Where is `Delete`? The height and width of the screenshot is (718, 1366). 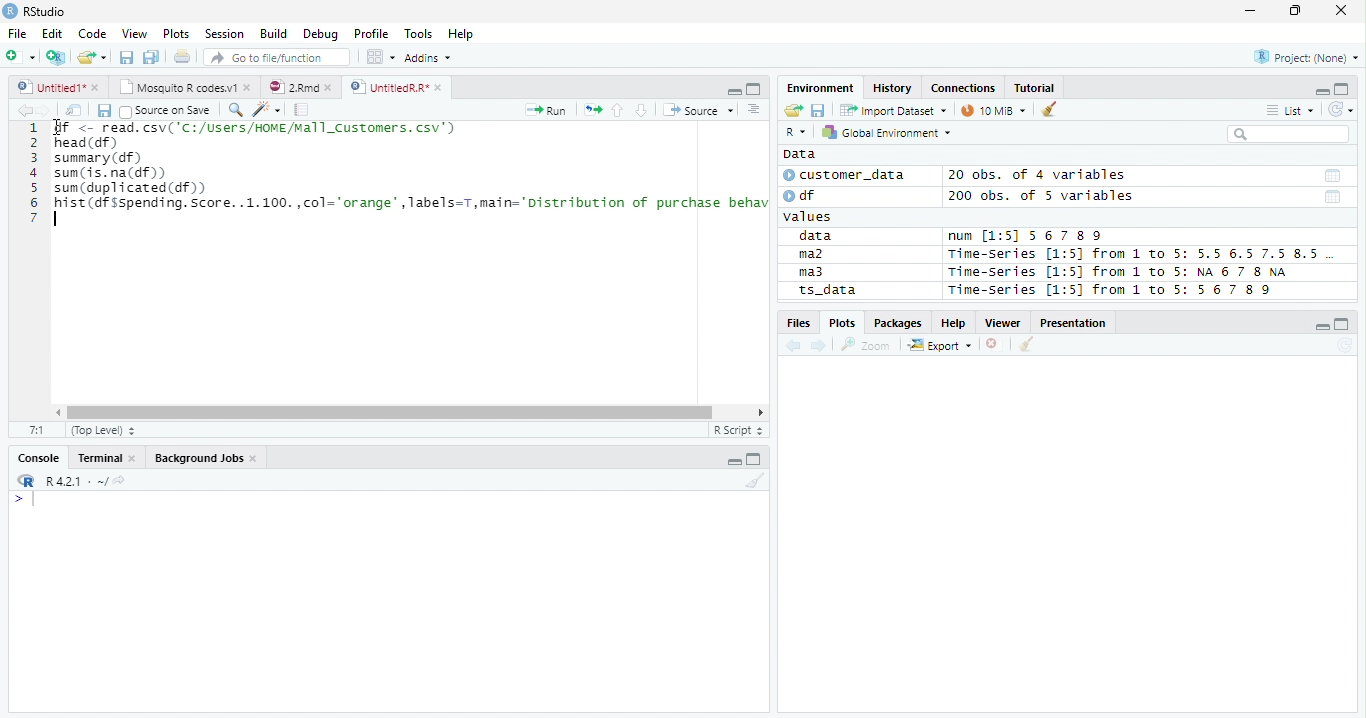
Delete is located at coordinates (995, 345).